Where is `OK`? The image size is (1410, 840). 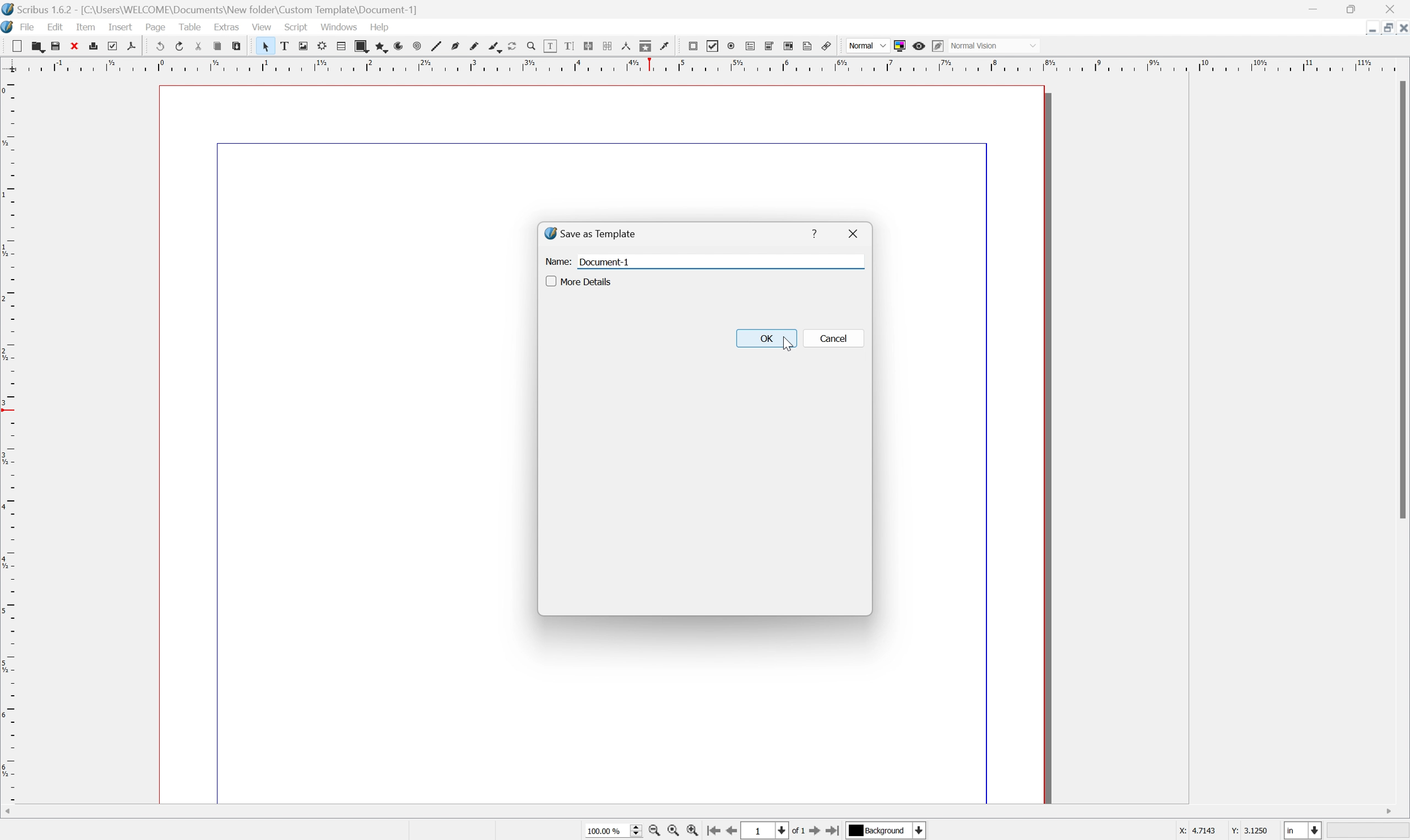
OK is located at coordinates (766, 337).